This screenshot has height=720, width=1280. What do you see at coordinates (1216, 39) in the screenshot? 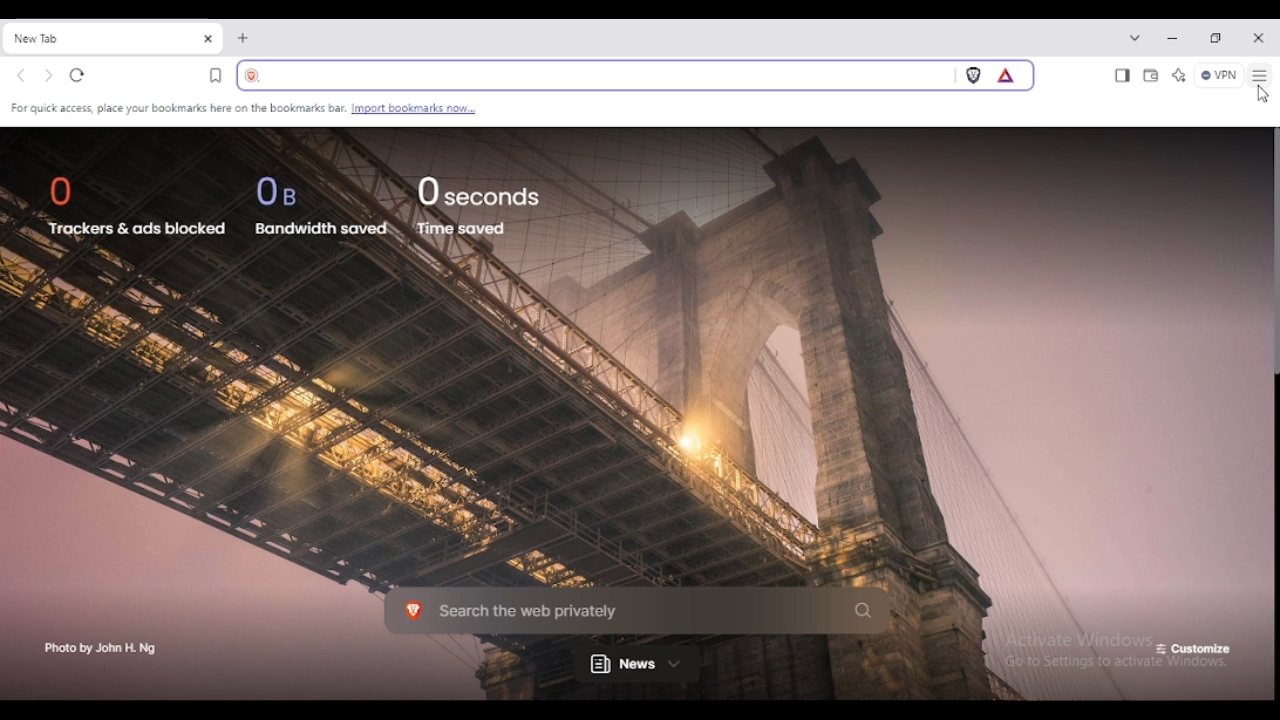
I see `maximize` at bounding box center [1216, 39].